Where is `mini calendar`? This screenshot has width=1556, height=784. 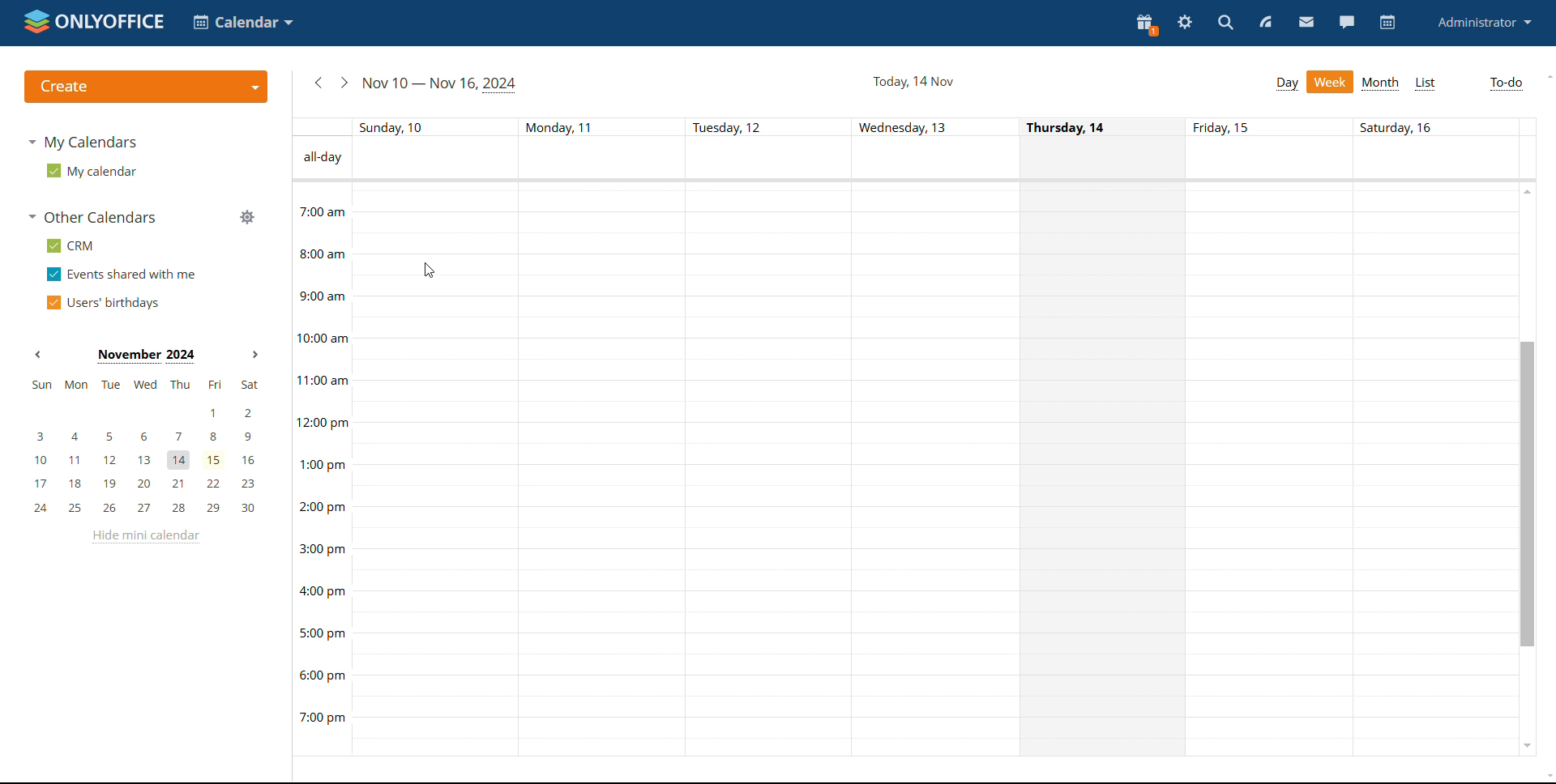
mini calendar is located at coordinates (144, 445).